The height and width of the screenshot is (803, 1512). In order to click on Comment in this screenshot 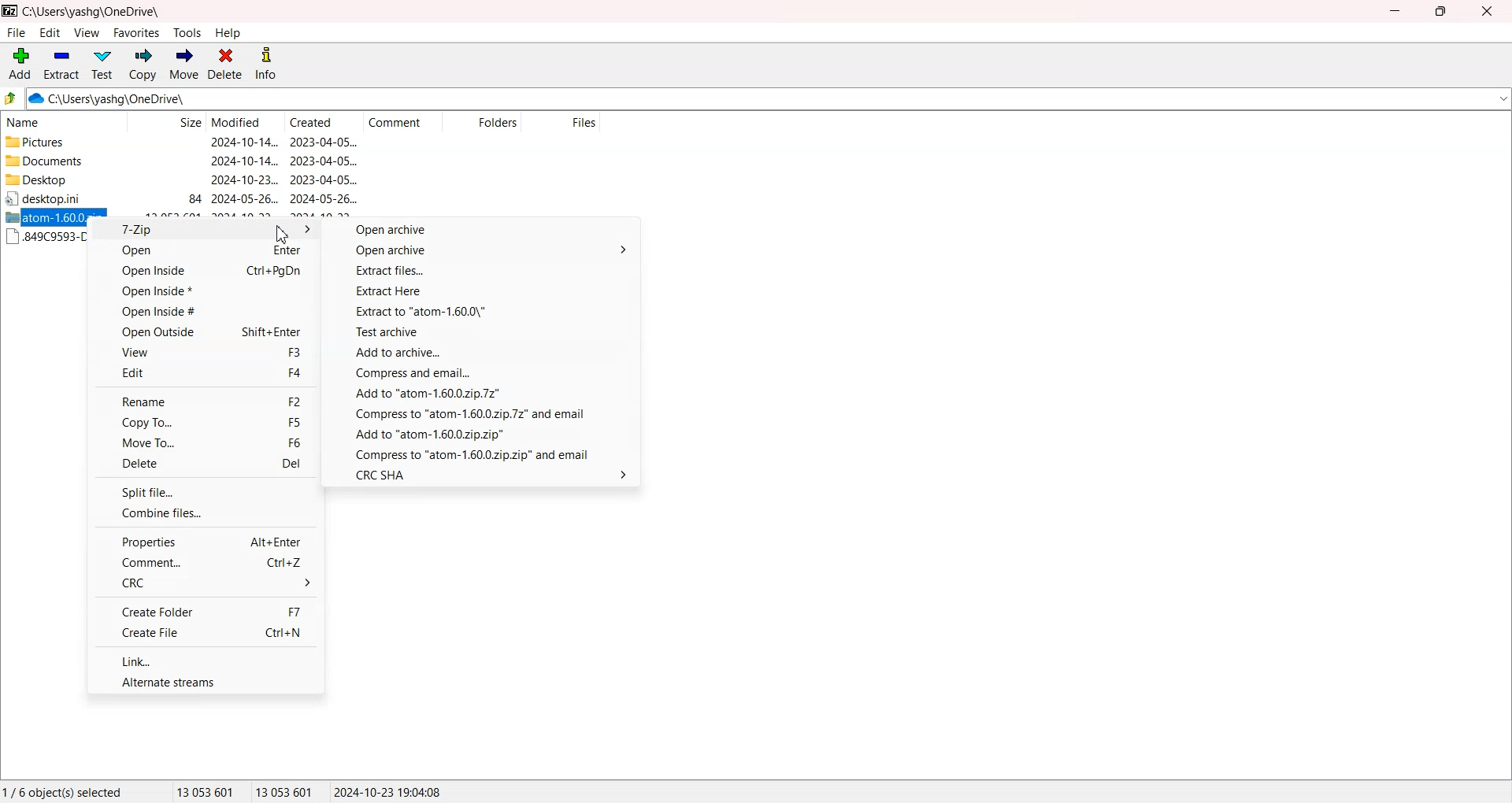, I will do `click(205, 563)`.